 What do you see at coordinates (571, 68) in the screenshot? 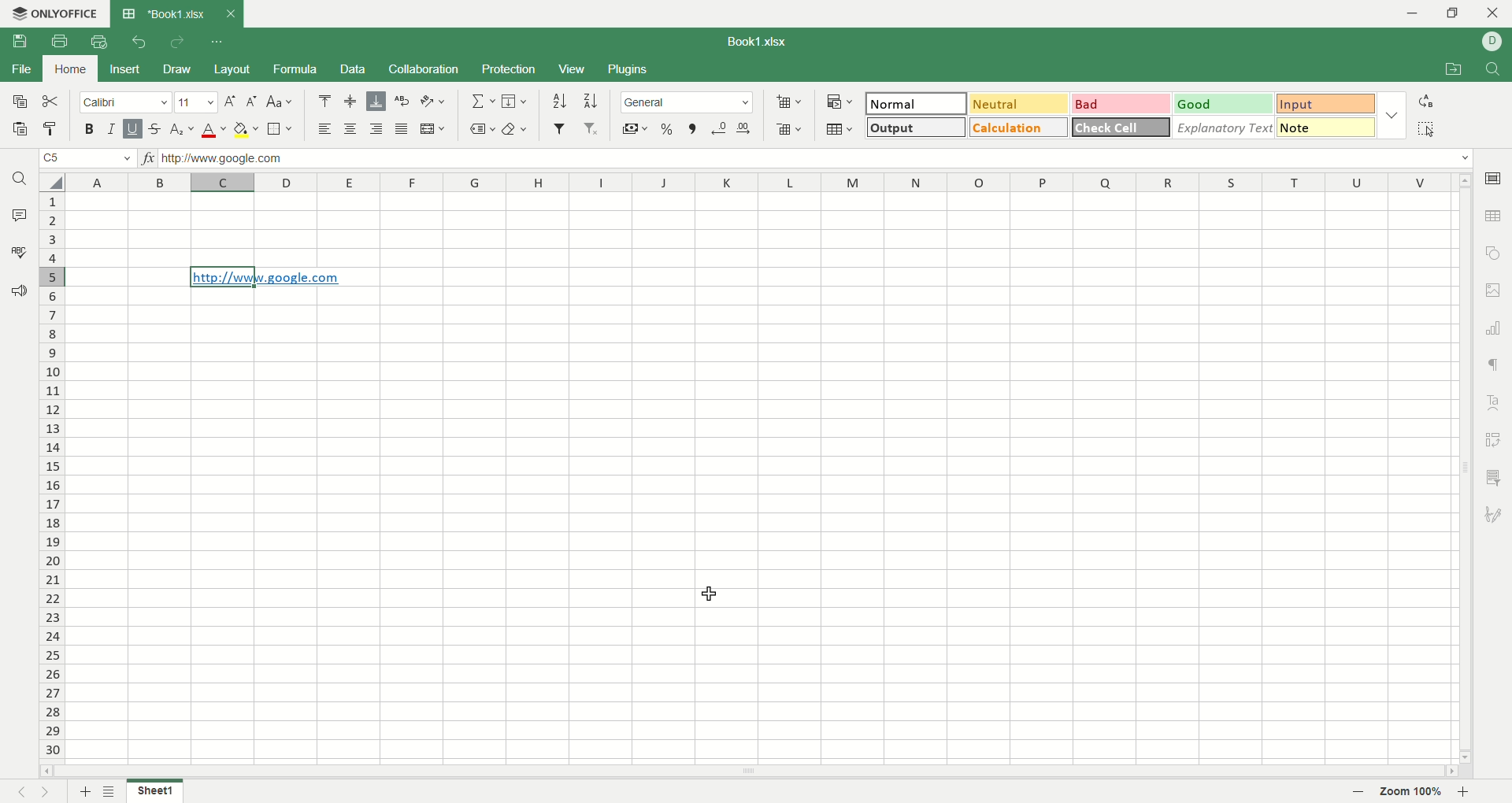
I see `view` at bounding box center [571, 68].